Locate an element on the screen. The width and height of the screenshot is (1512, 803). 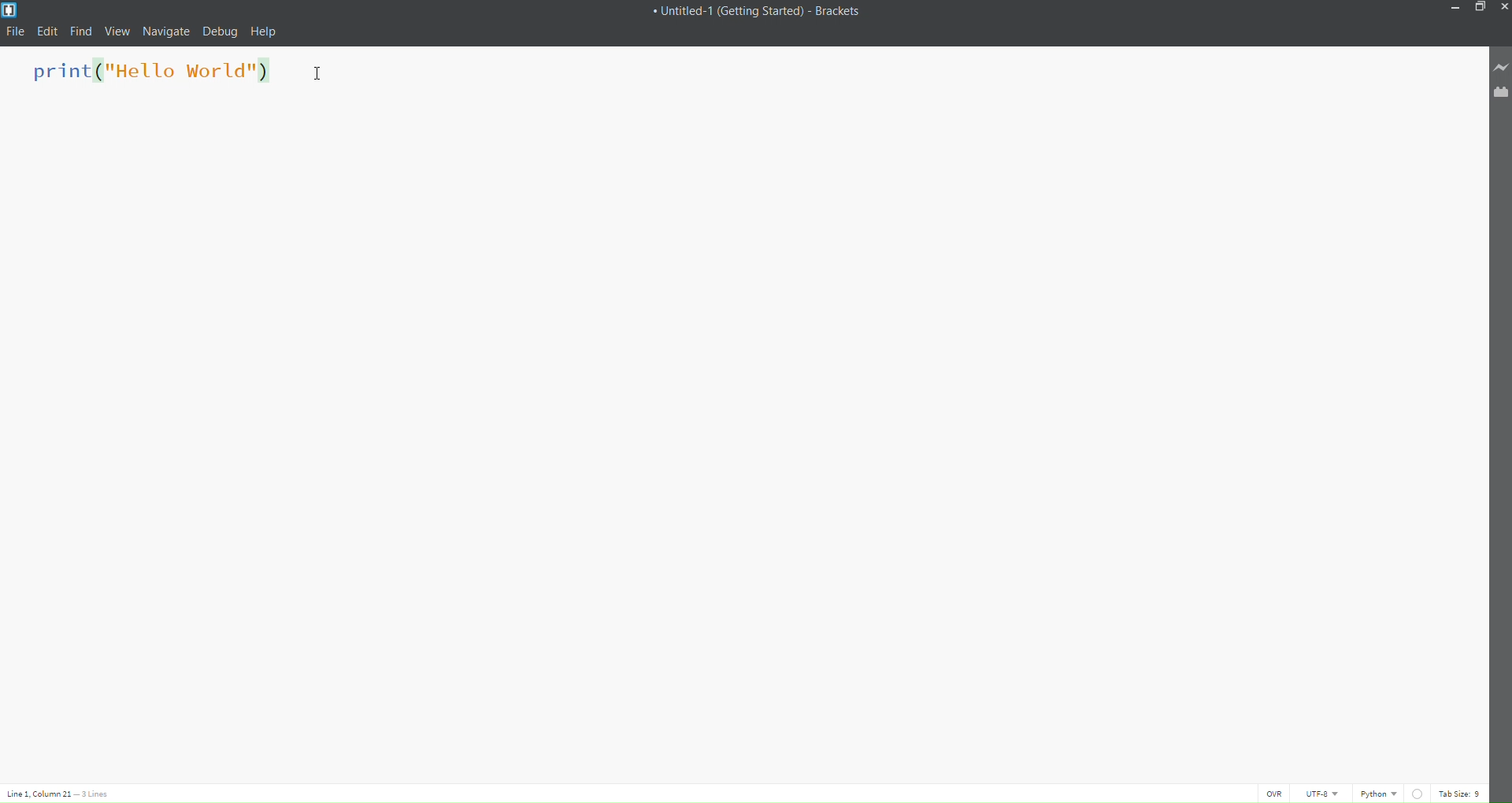
programming language is located at coordinates (1380, 793).